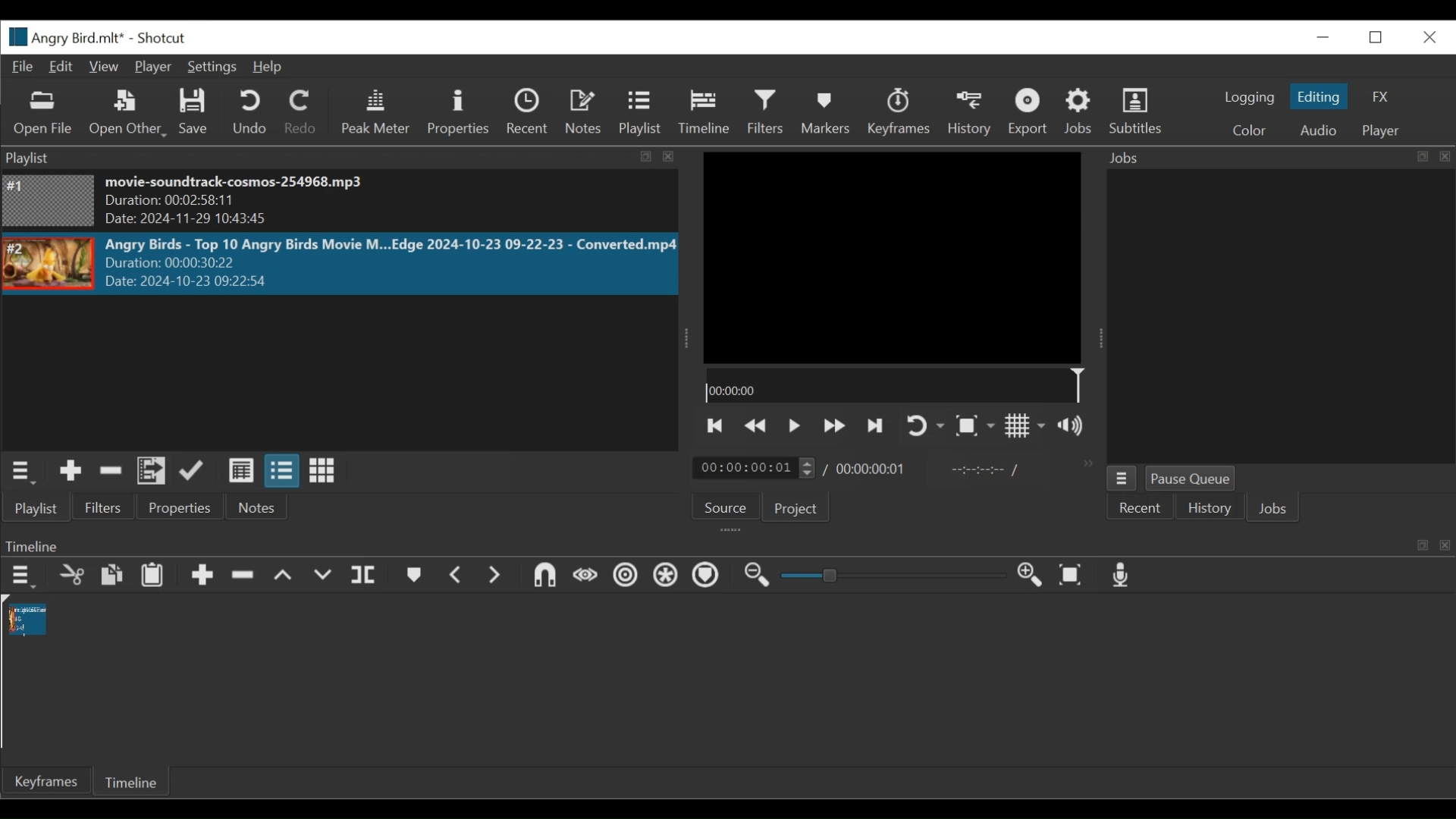 The image size is (1456, 819). What do you see at coordinates (1323, 35) in the screenshot?
I see `minimize` at bounding box center [1323, 35].